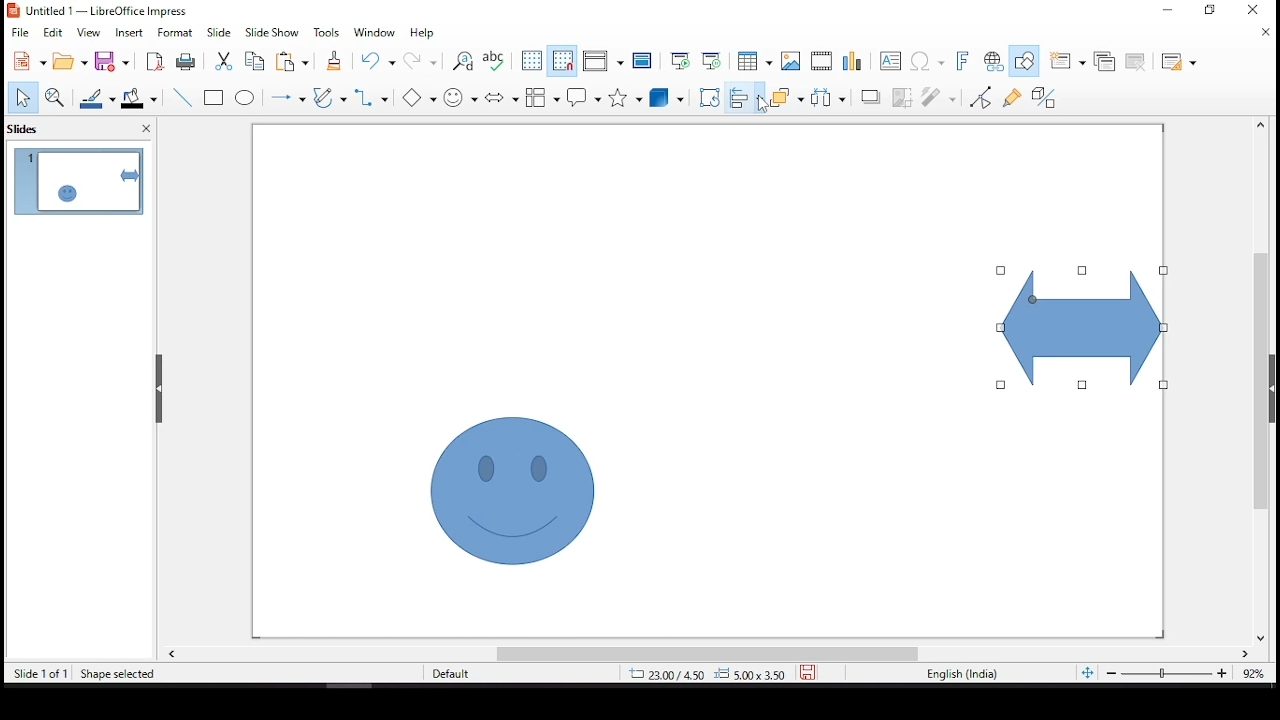 This screenshot has height=720, width=1280. What do you see at coordinates (29, 128) in the screenshot?
I see `slides` at bounding box center [29, 128].